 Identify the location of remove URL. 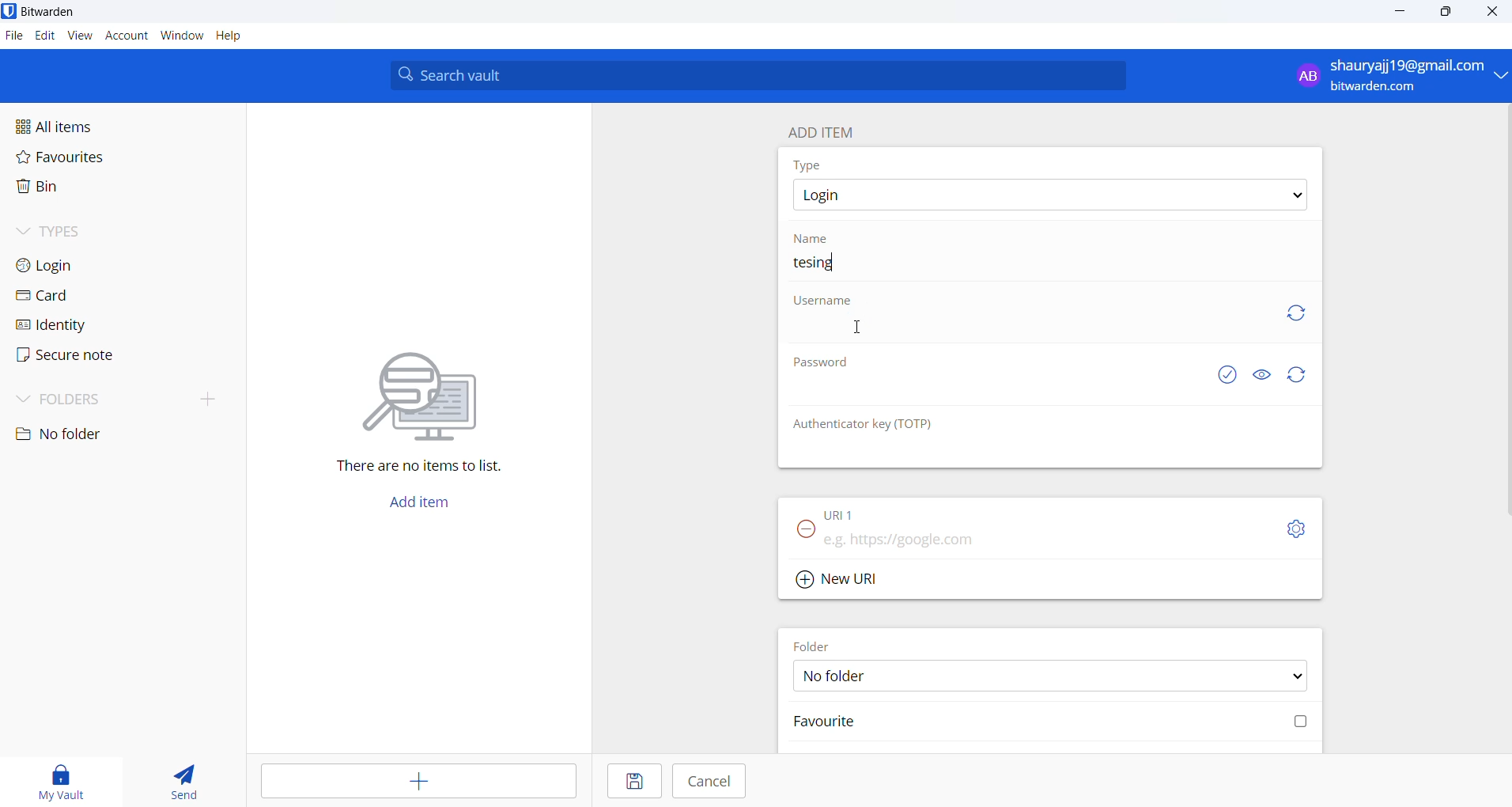
(807, 534).